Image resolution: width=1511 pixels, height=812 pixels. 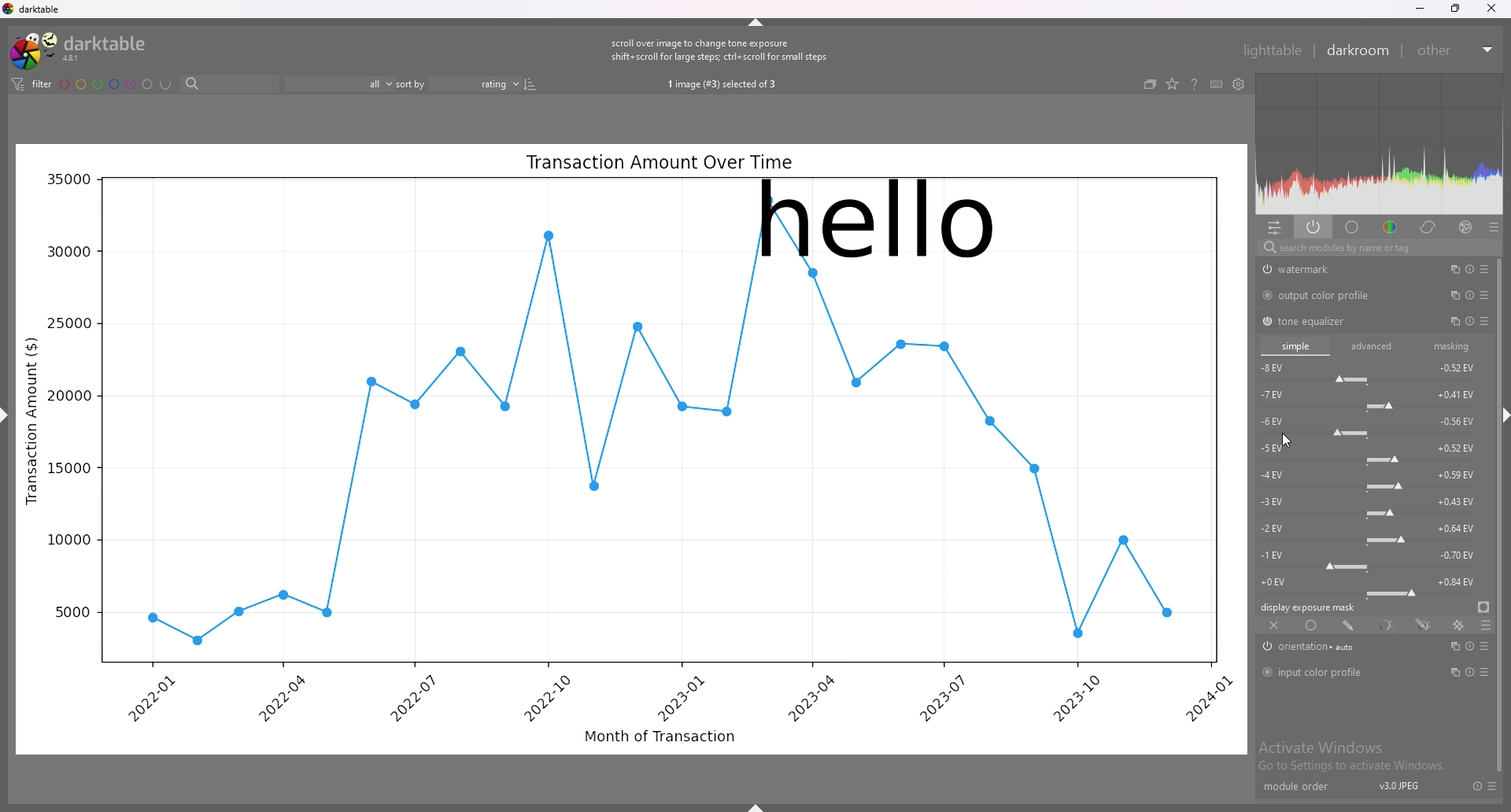 What do you see at coordinates (1471, 671) in the screenshot?
I see `multiple instance actions, reset and presets` at bounding box center [1471, 671].